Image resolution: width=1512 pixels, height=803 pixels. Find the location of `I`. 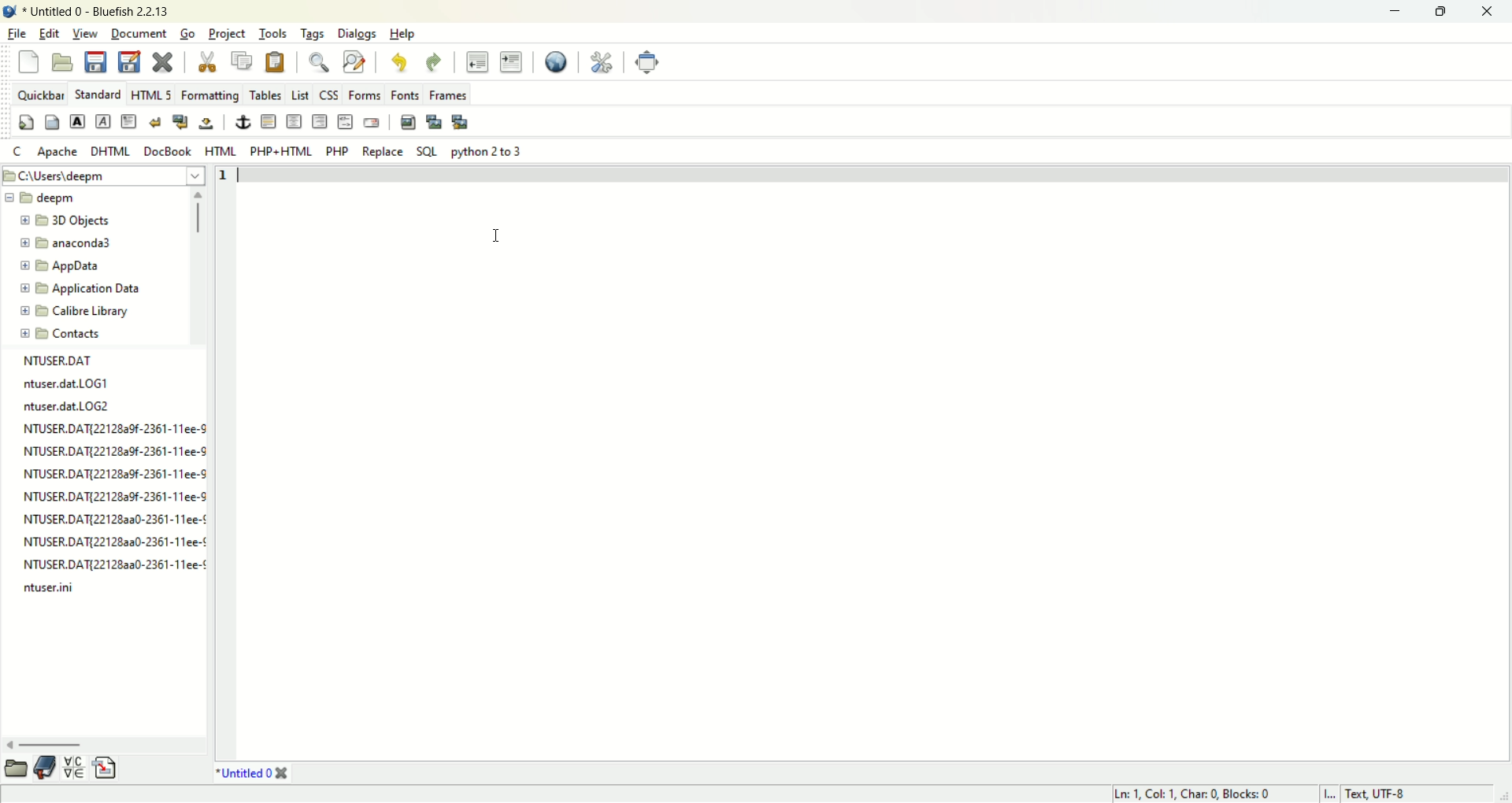

I is located at coordinates (1332, 794).